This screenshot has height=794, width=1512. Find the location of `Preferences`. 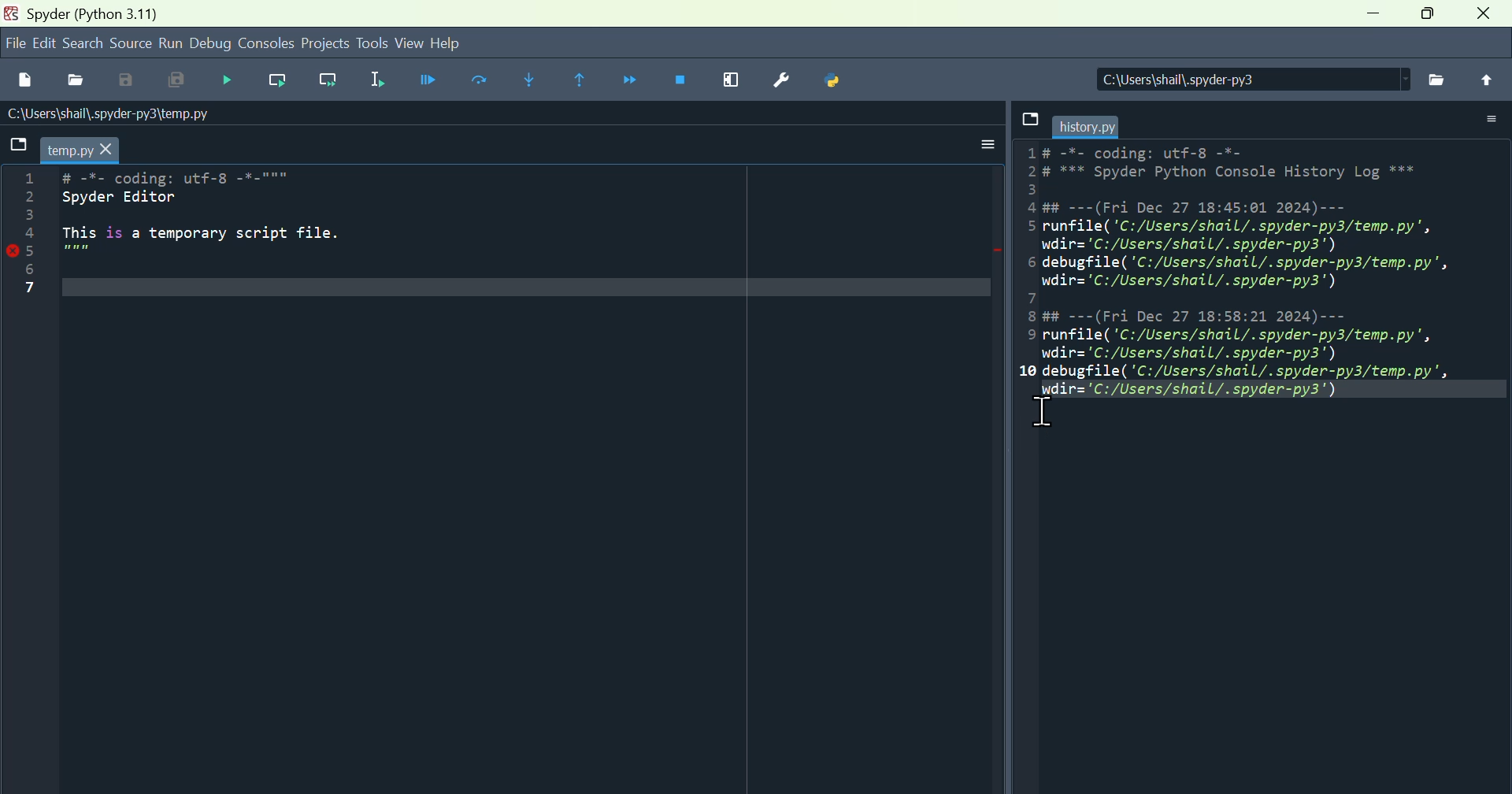

Preferences is located at coordinates (787, 80).